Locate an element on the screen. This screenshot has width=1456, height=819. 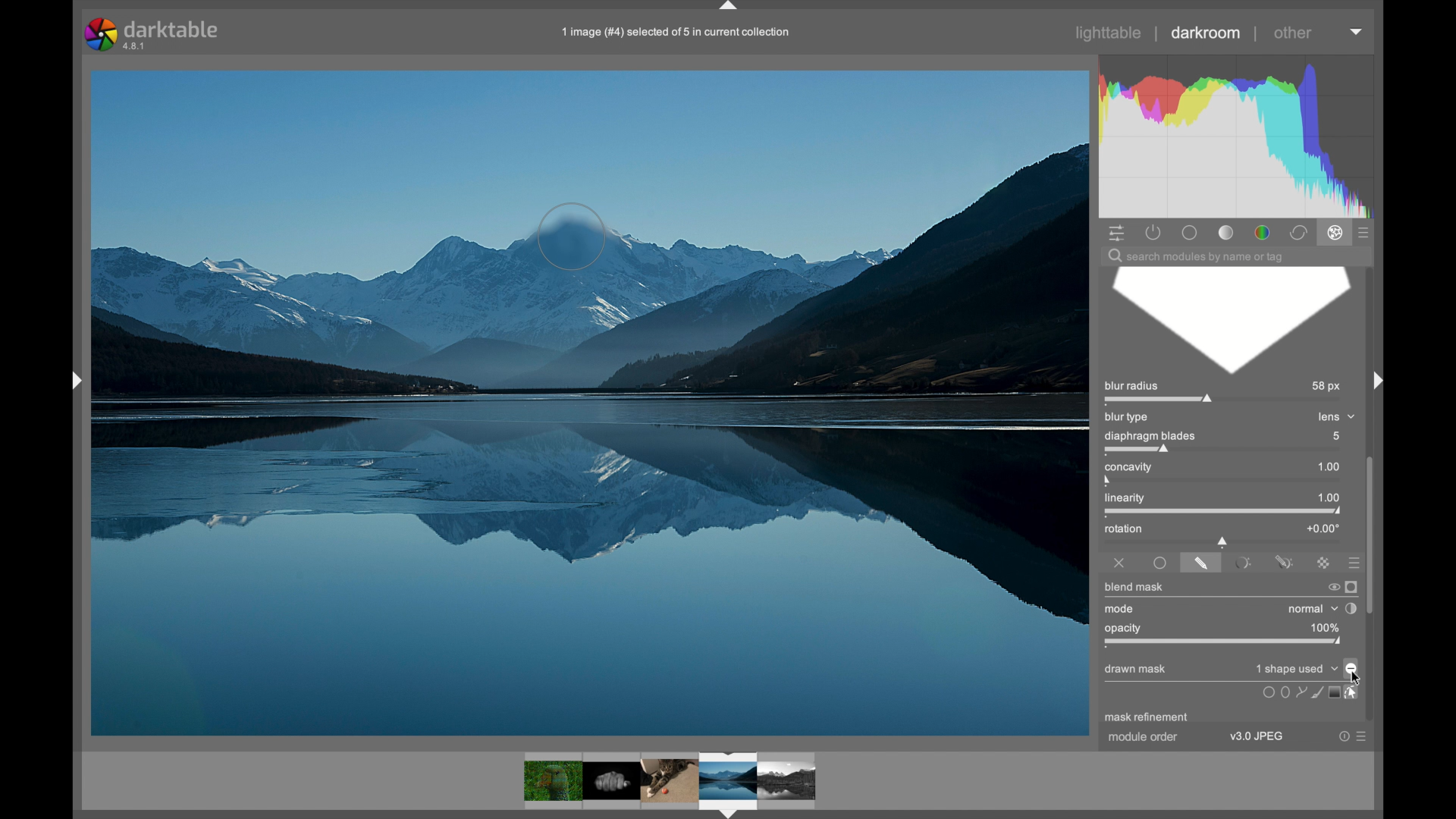
uniformly is located at coordinates (1269, 692).